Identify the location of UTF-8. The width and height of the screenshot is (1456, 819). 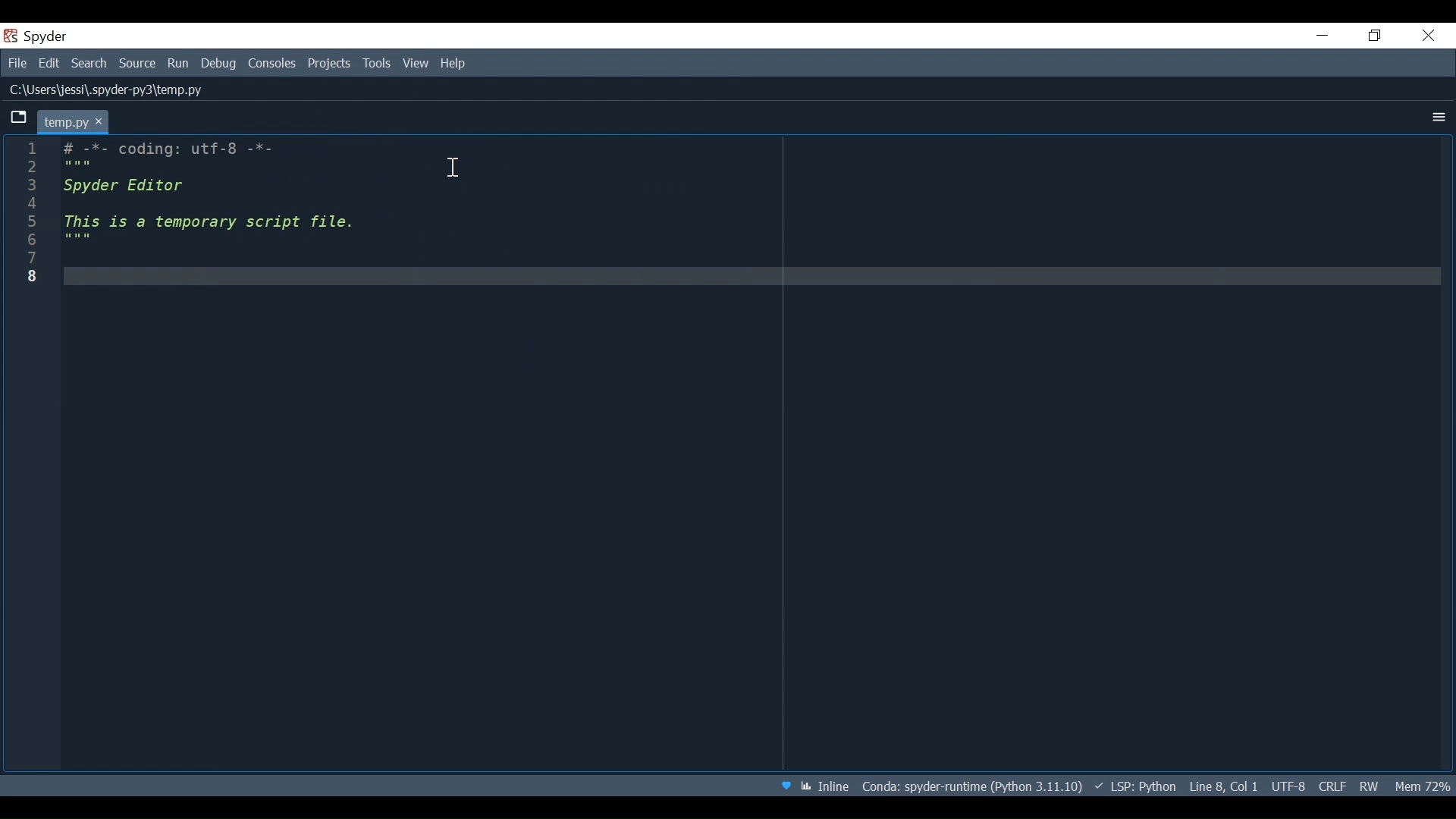
(1289, 786).